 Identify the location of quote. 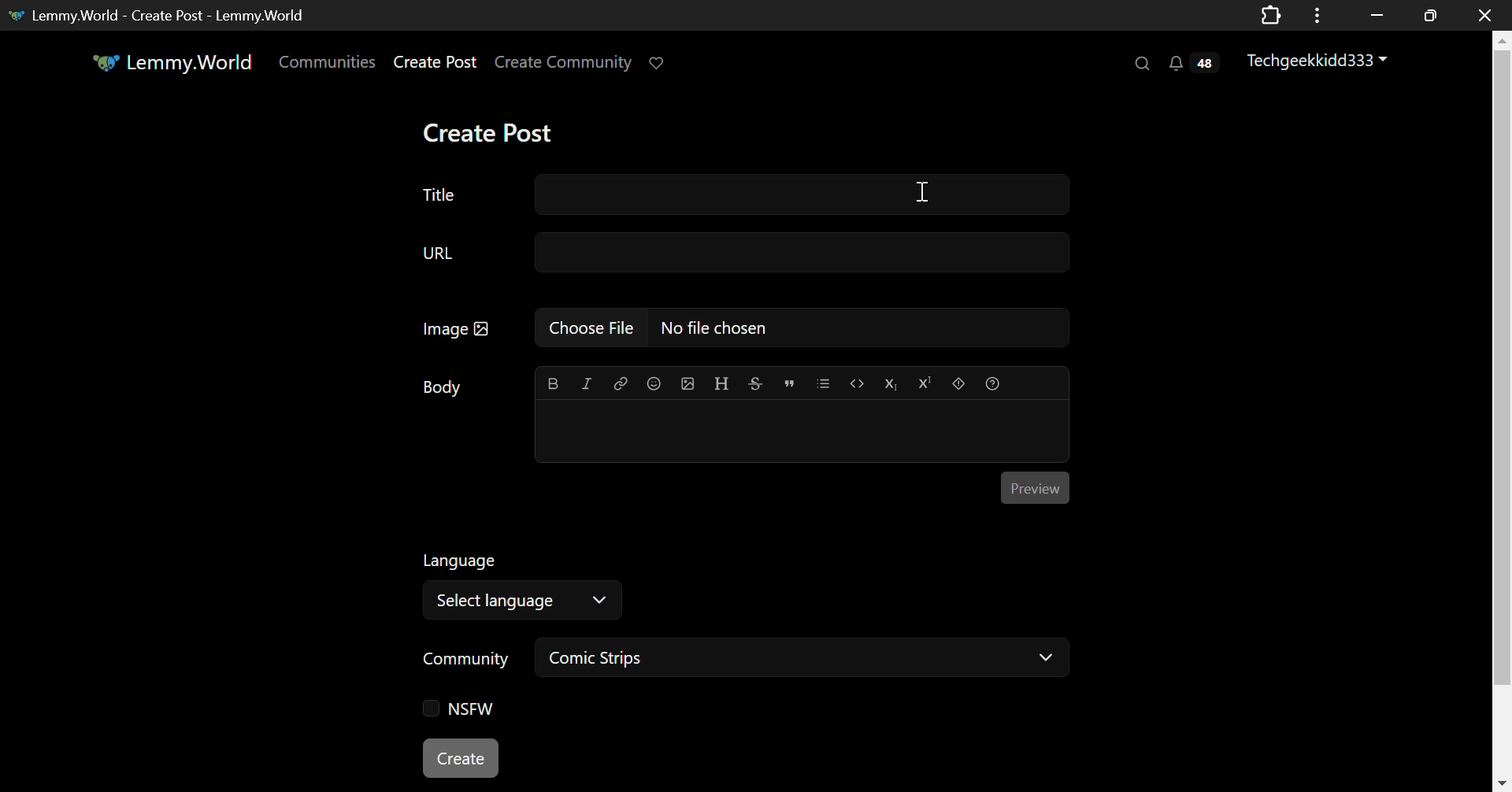
(789, 383).